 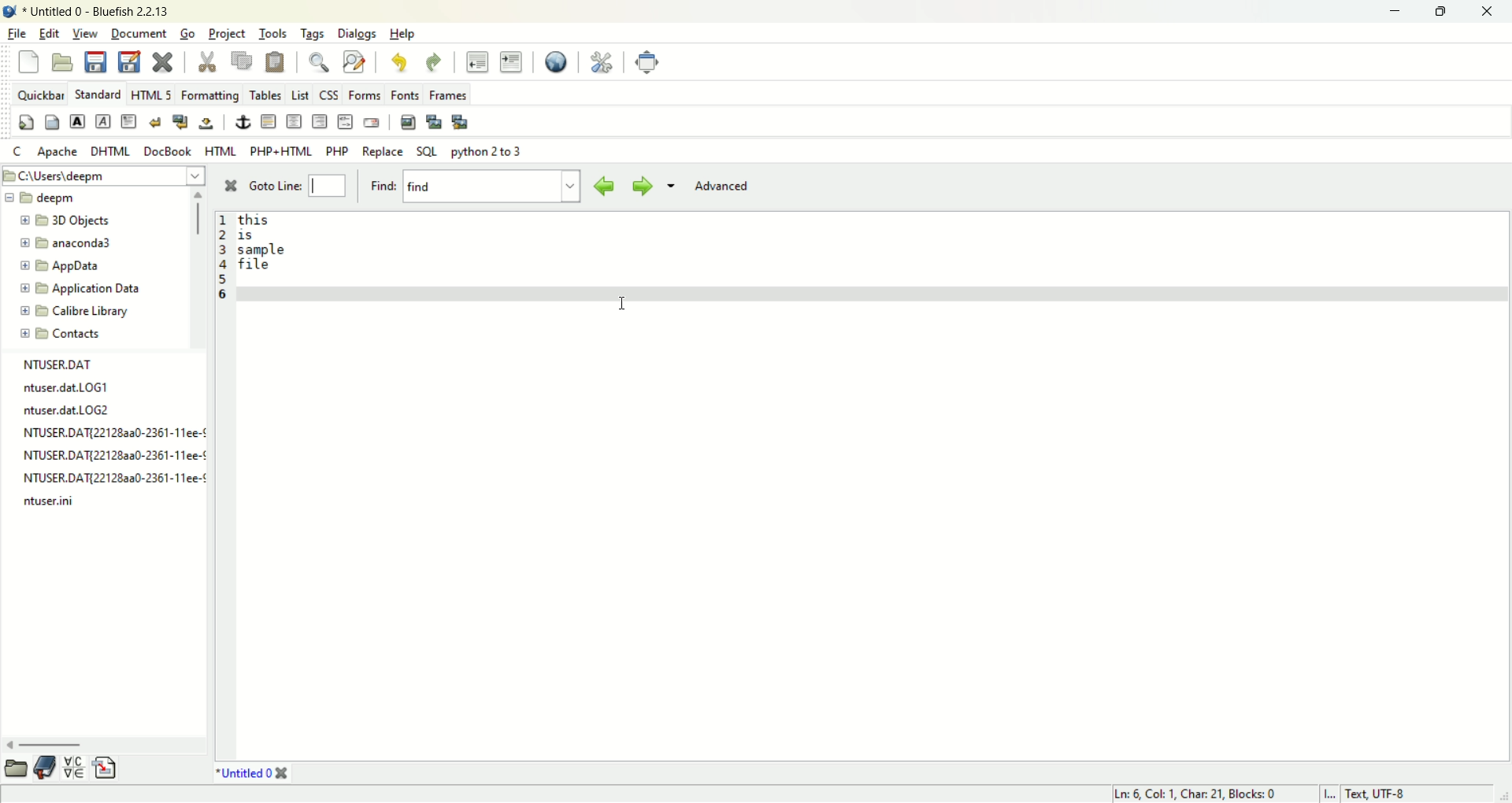 I want to click on next, so click(x=641, y=187).